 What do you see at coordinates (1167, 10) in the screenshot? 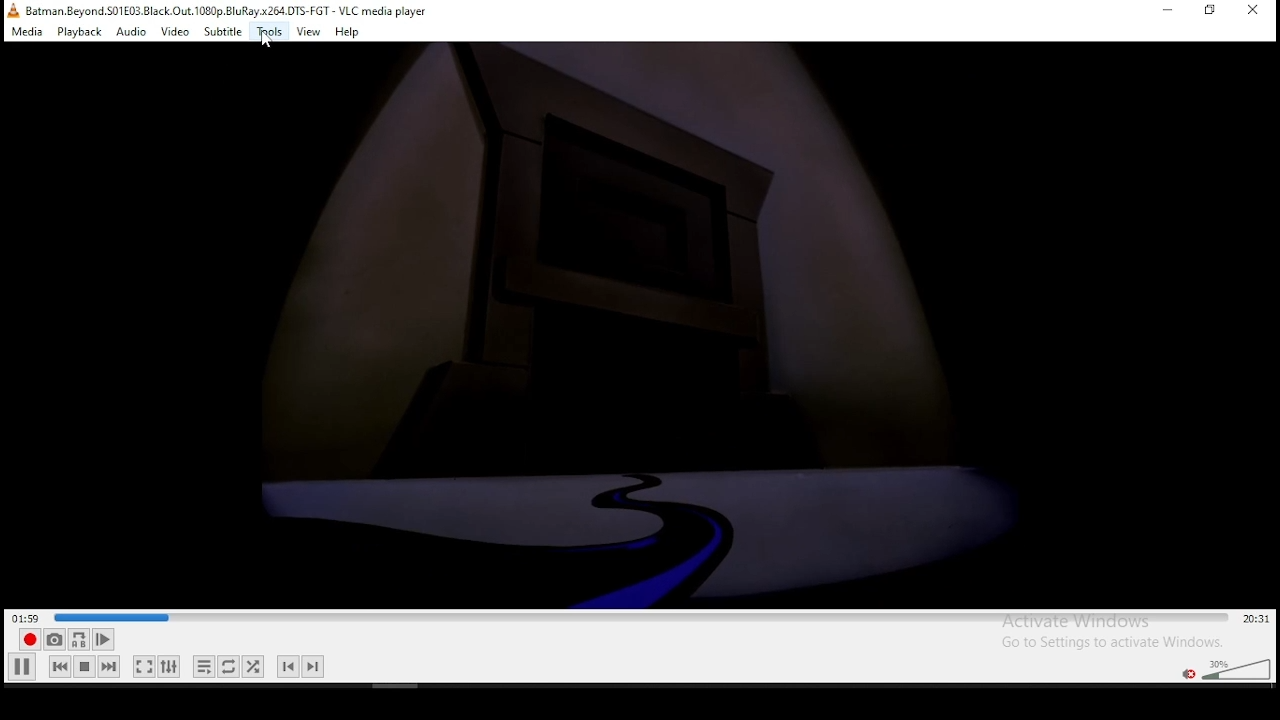
I see `minimize` at bounding box center [1167, 10].